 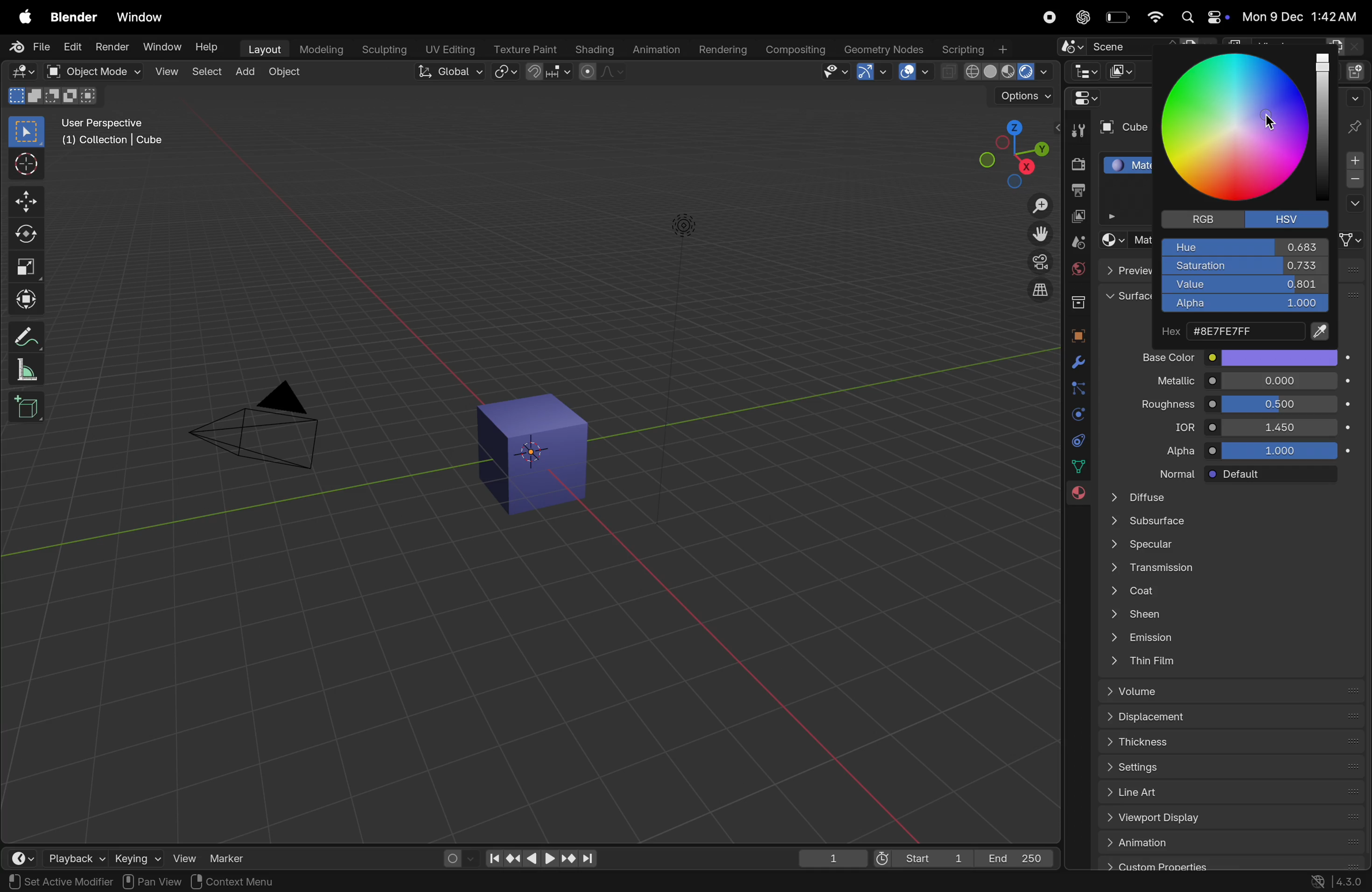 What do you see at coordinates (1076, 218) in the screenshot?
I see `view layer` at bounding box center [1076, 218].